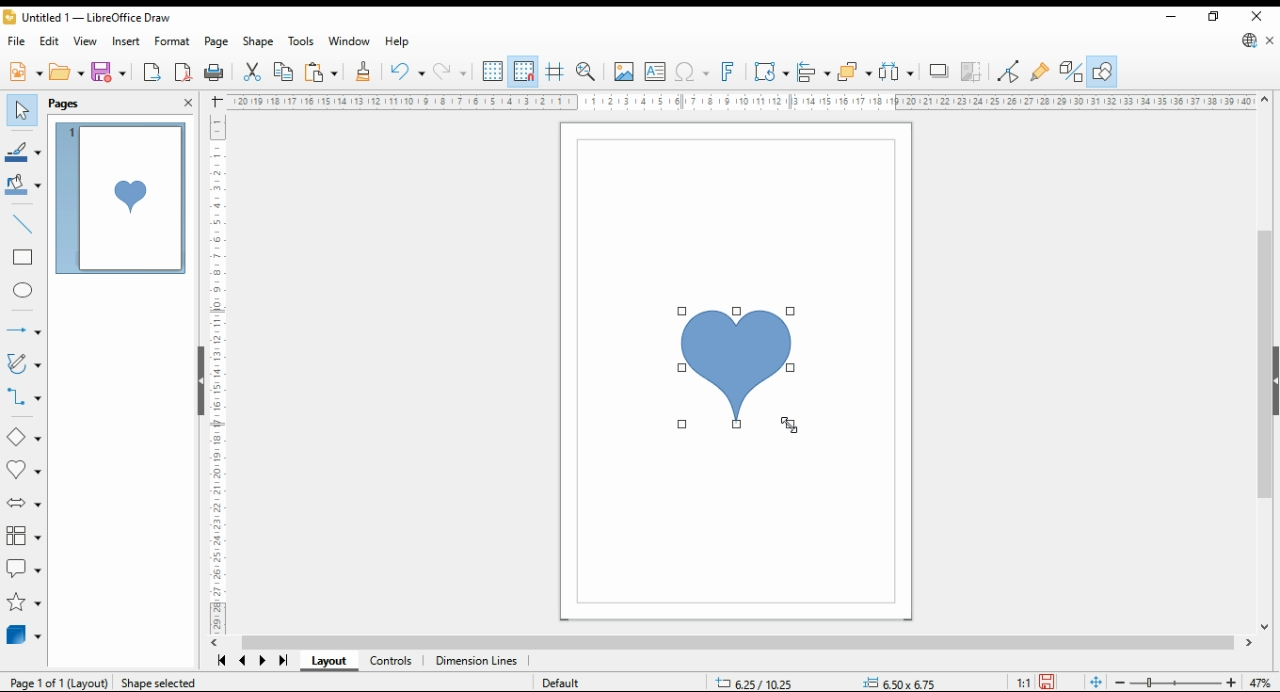  What do you see at coordinates (86, 41) in the screenshot?
I see `view` at bounding box center [86, 41].